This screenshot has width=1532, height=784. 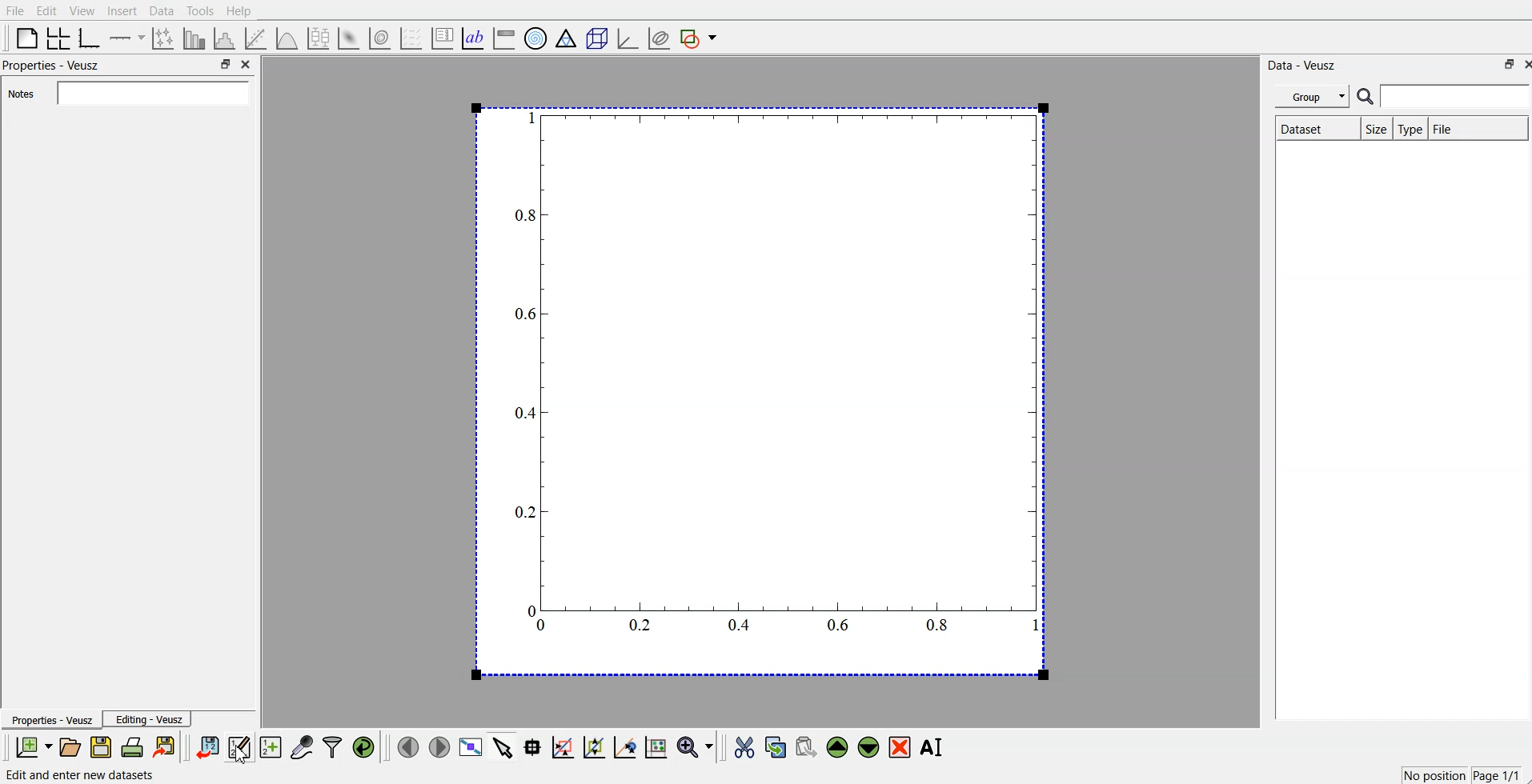 What do you see at coordinates (1443, 96) in the screenshot?
I see `search bar` at bounding box center [1443, 96].